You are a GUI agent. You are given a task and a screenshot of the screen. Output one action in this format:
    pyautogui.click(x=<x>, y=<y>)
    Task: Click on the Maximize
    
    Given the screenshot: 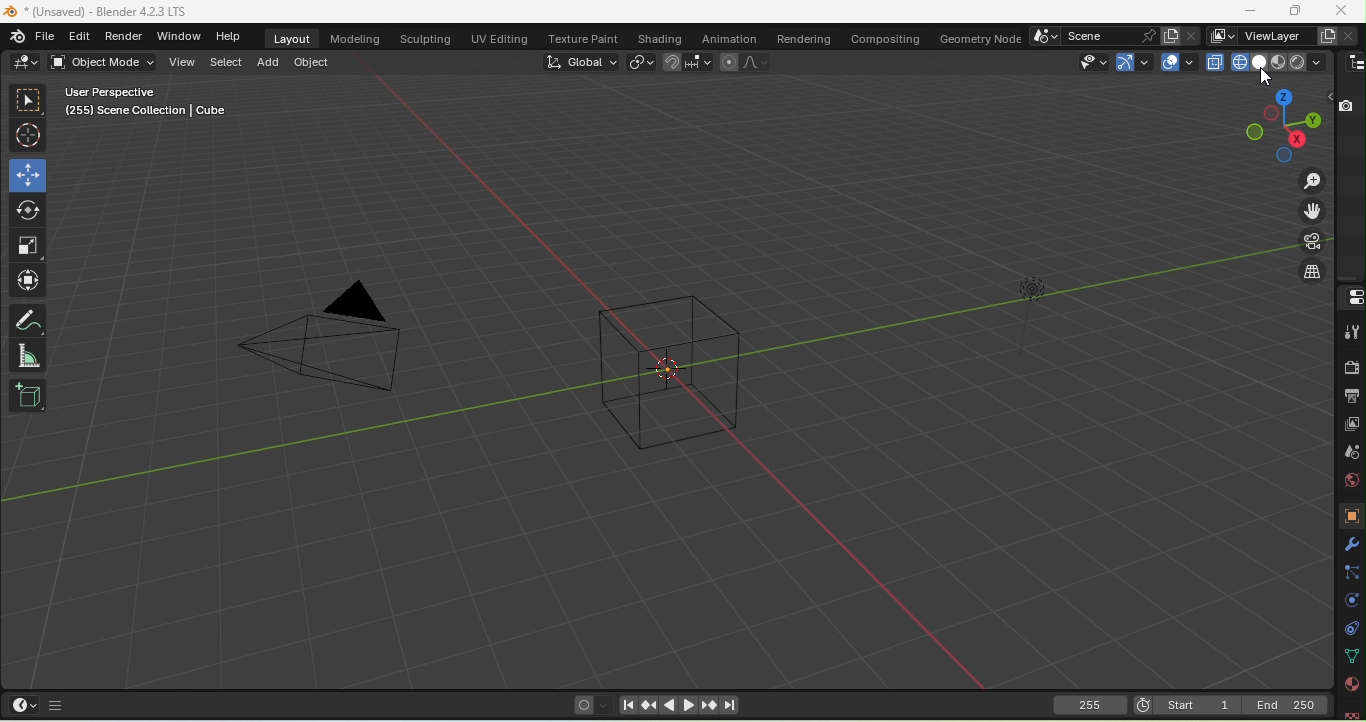 What is the action you would take?
    pyautogui.click(x=1250, y=11)
    